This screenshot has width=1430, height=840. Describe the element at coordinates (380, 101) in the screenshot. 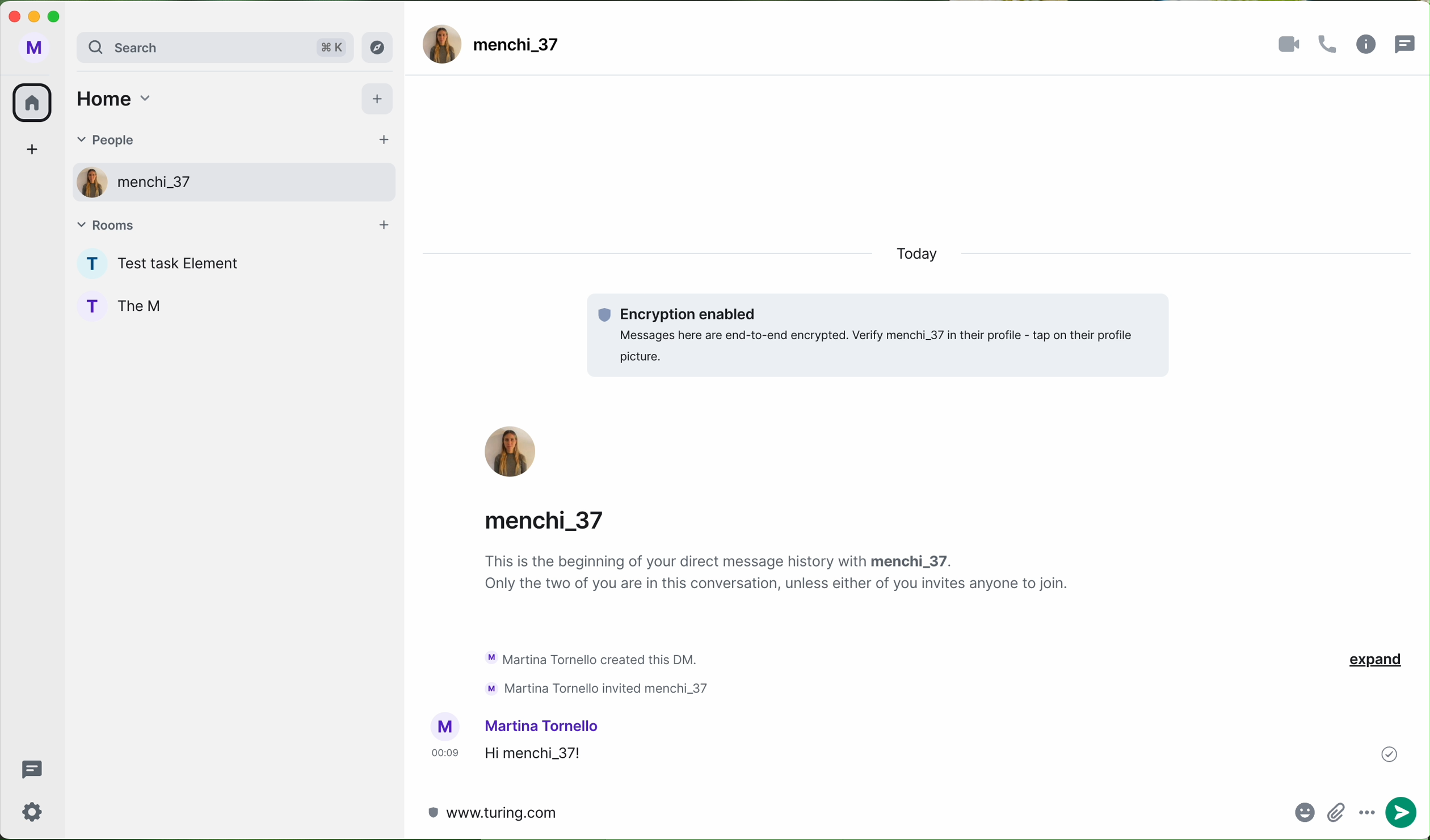

I see `add` at that location.